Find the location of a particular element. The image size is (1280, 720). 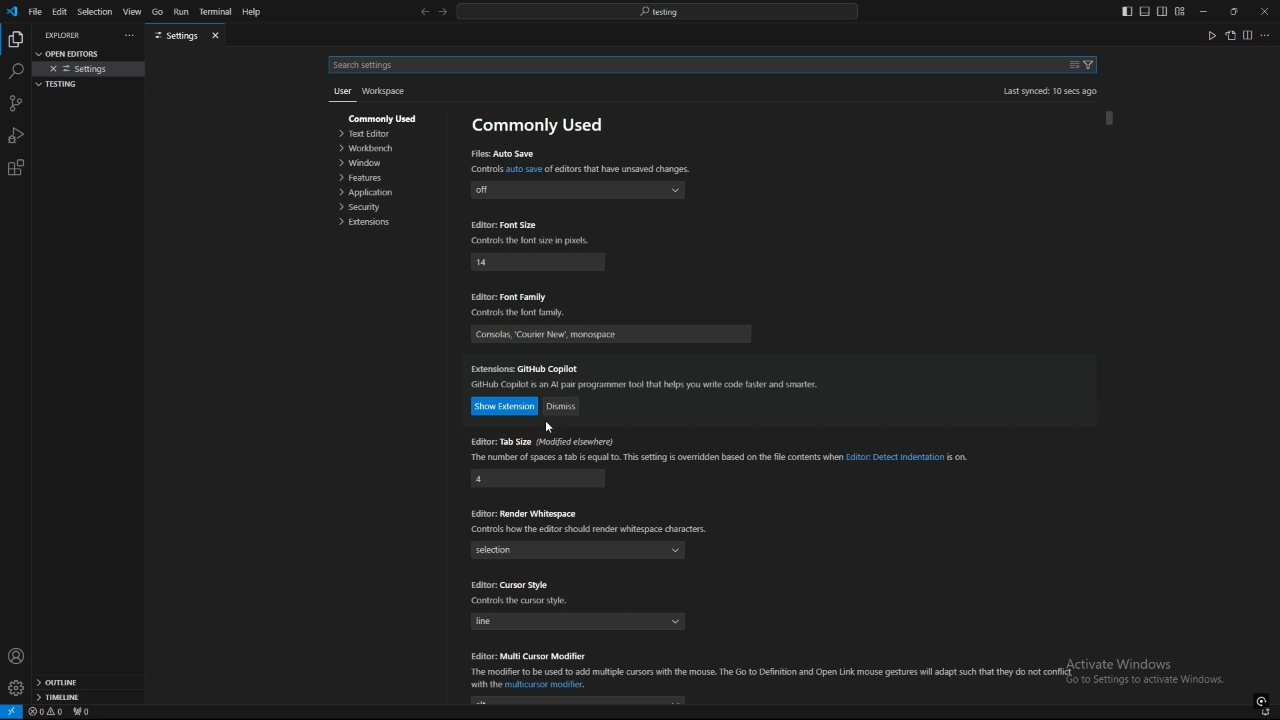

editor font family is located at coordinates (514, 296).